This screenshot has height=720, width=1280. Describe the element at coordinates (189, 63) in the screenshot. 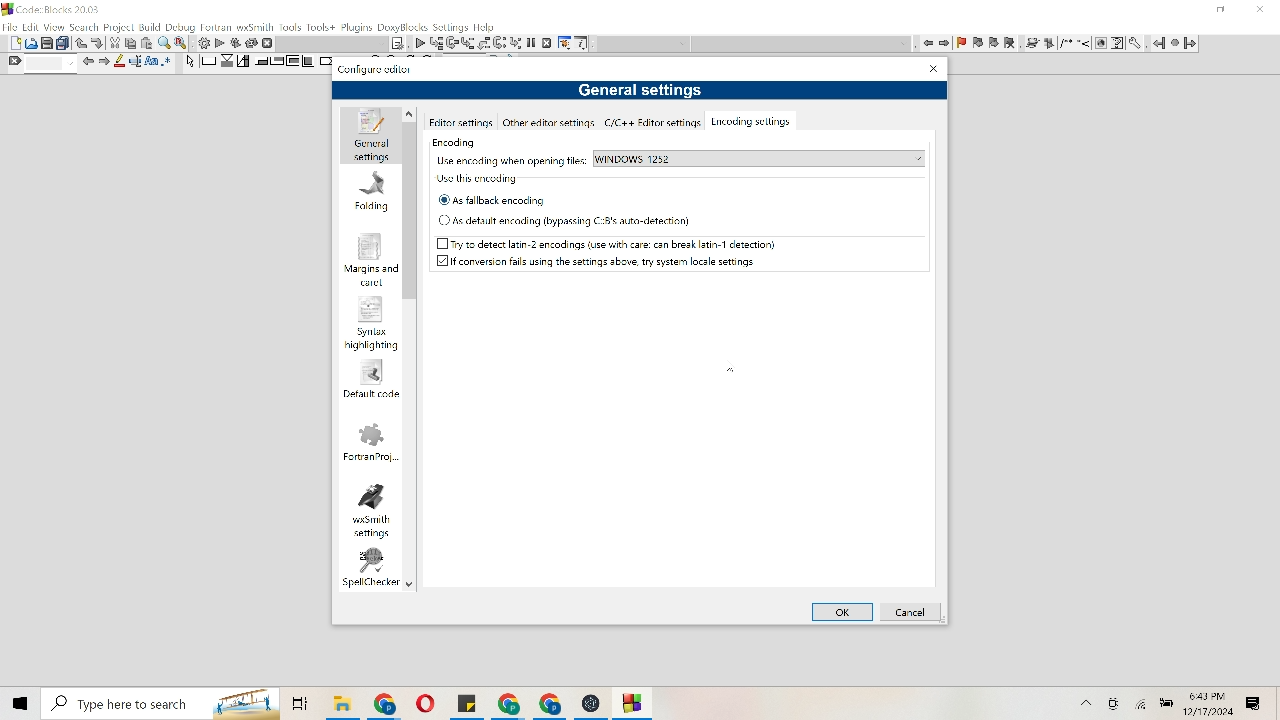

I see `Arrow` at that location.